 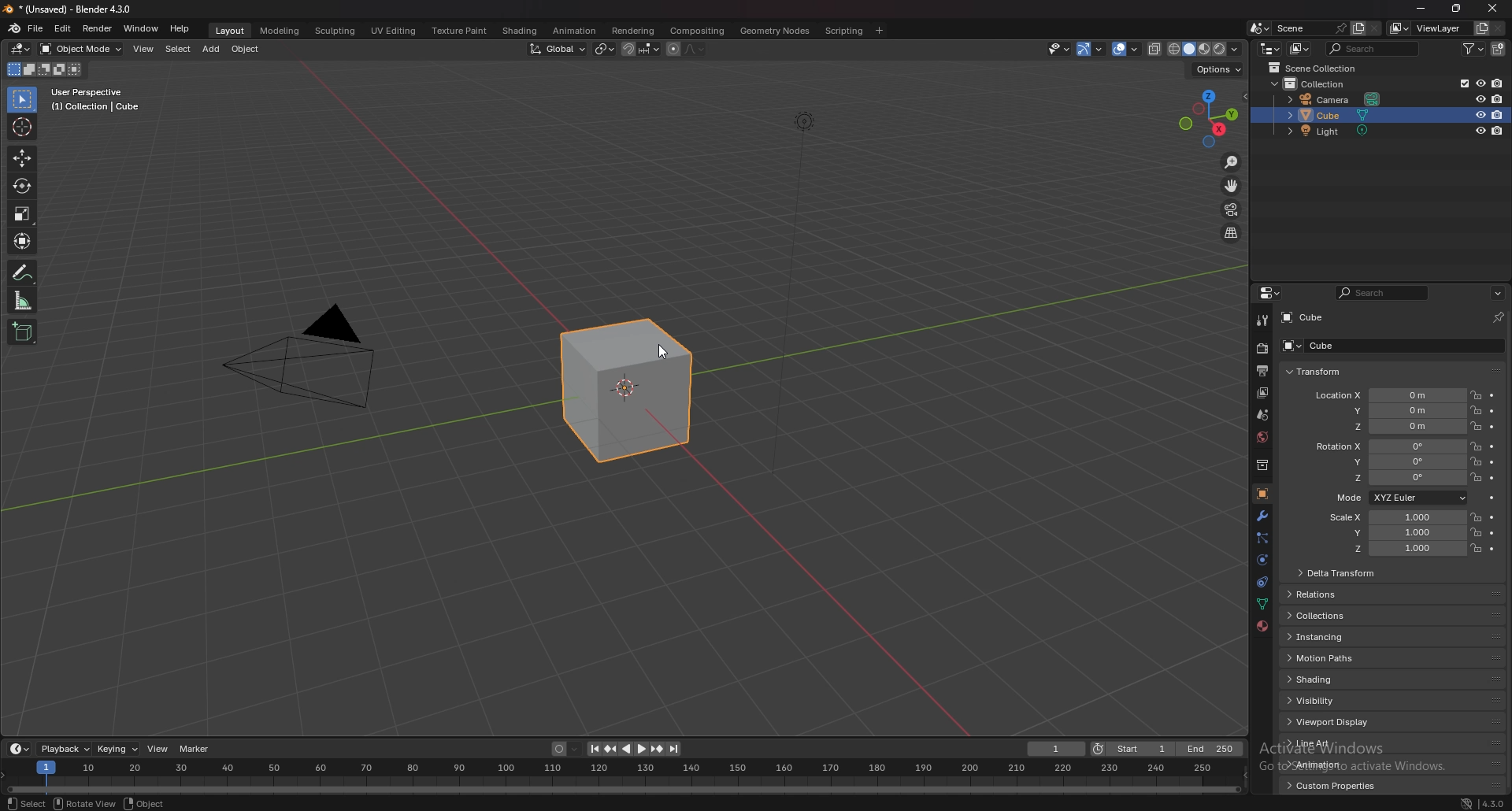 What do you see at coordinates (774, 31) in the screenshot?
I see `geometry nodes` at bounding box center [774, 31].